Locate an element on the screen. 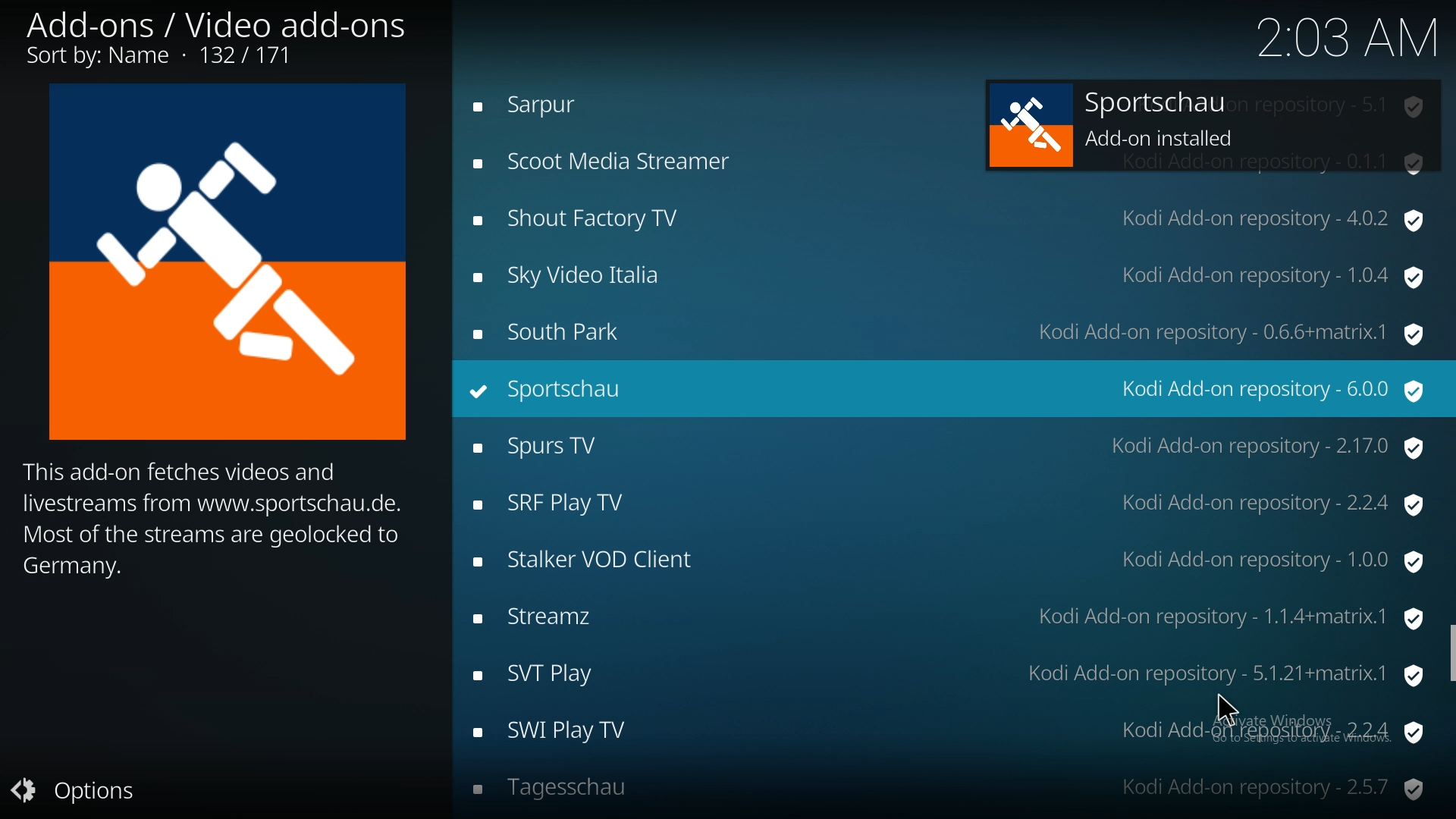 This screenshot has height=819, width=1456. streamz is located at coordinates (953, 621).